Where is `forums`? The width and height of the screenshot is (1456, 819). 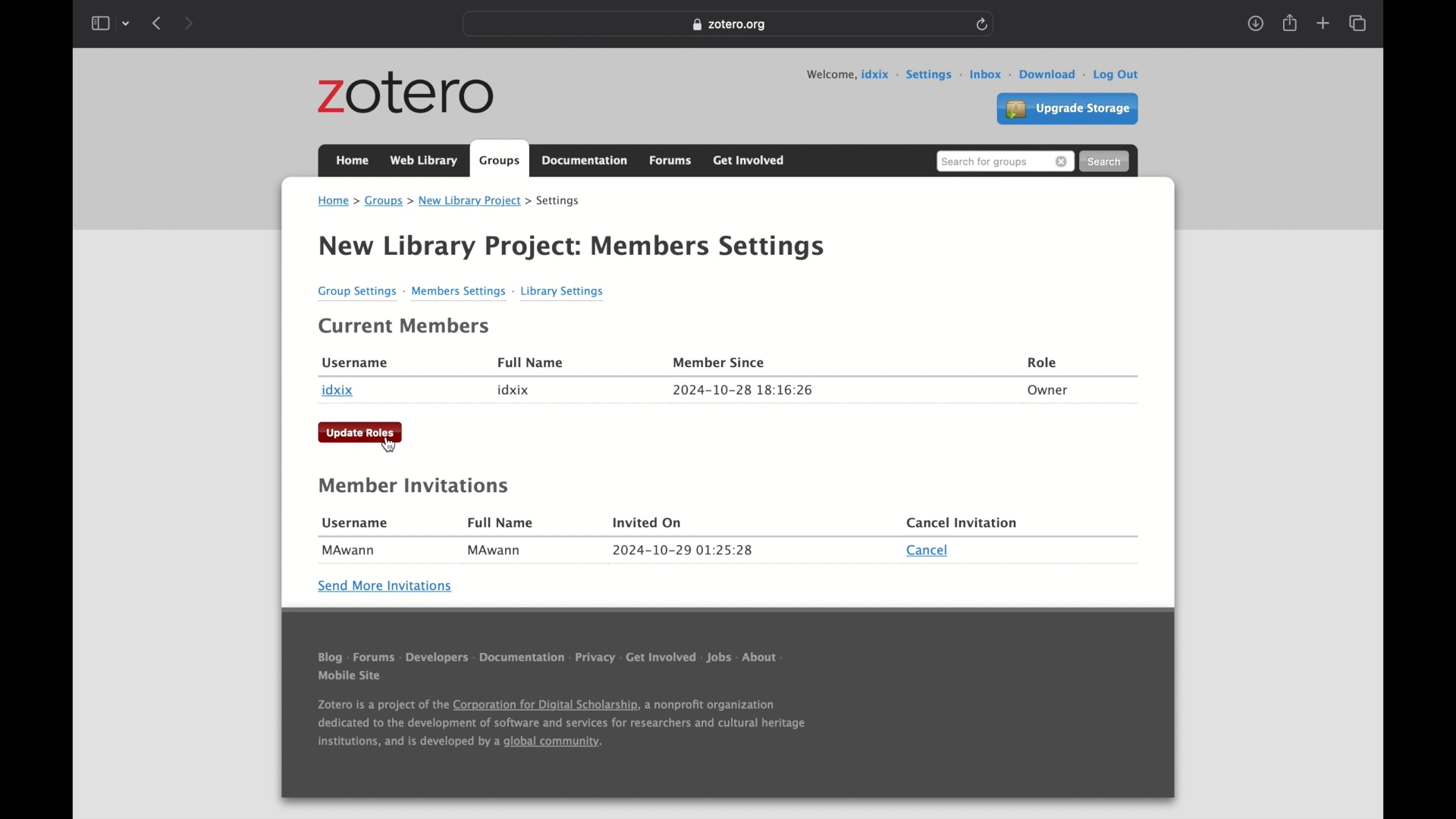
forums is located at coordinates (673, 160).